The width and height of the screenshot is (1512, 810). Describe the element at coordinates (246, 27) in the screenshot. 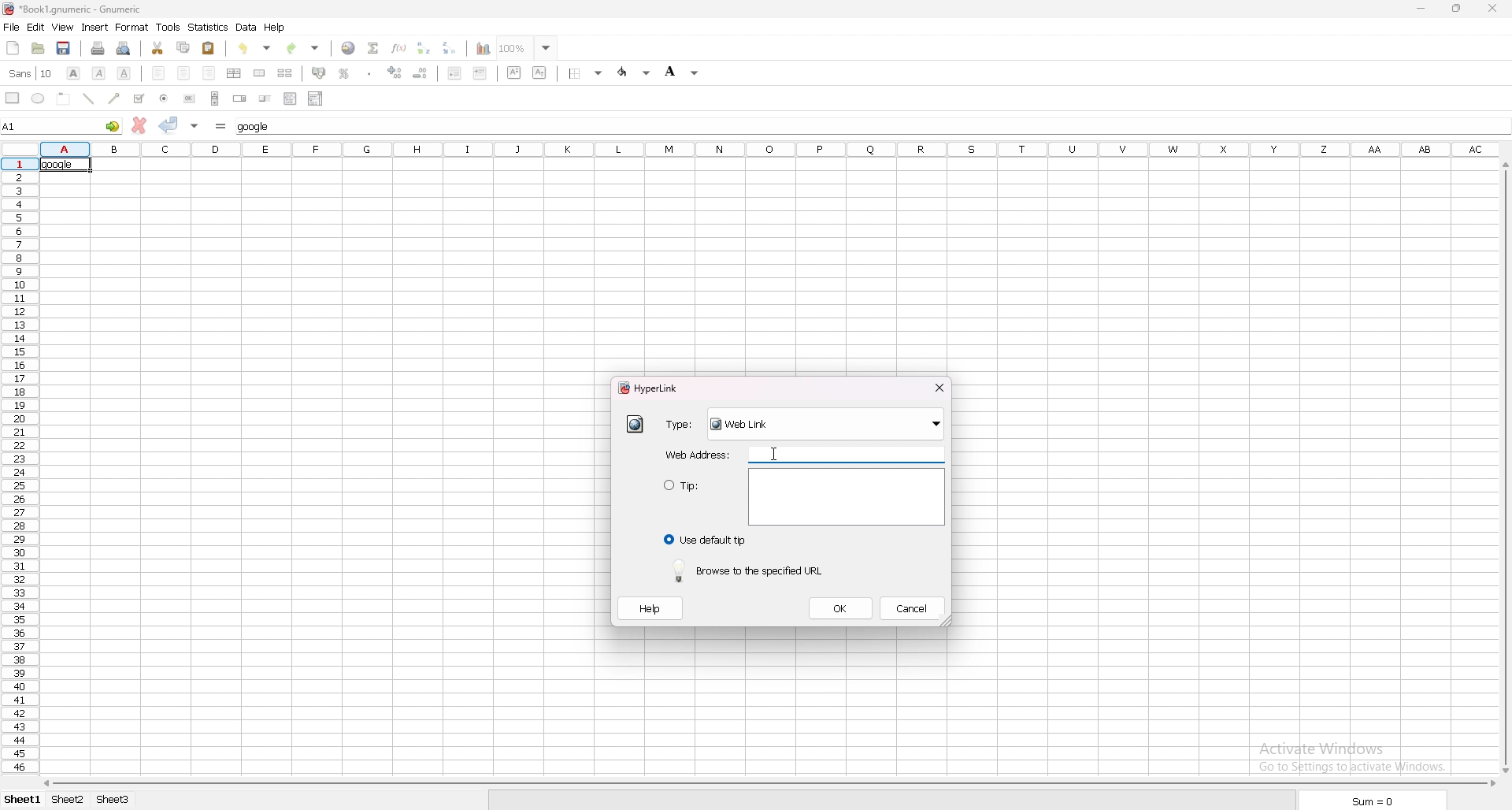

I see `data` at that location.